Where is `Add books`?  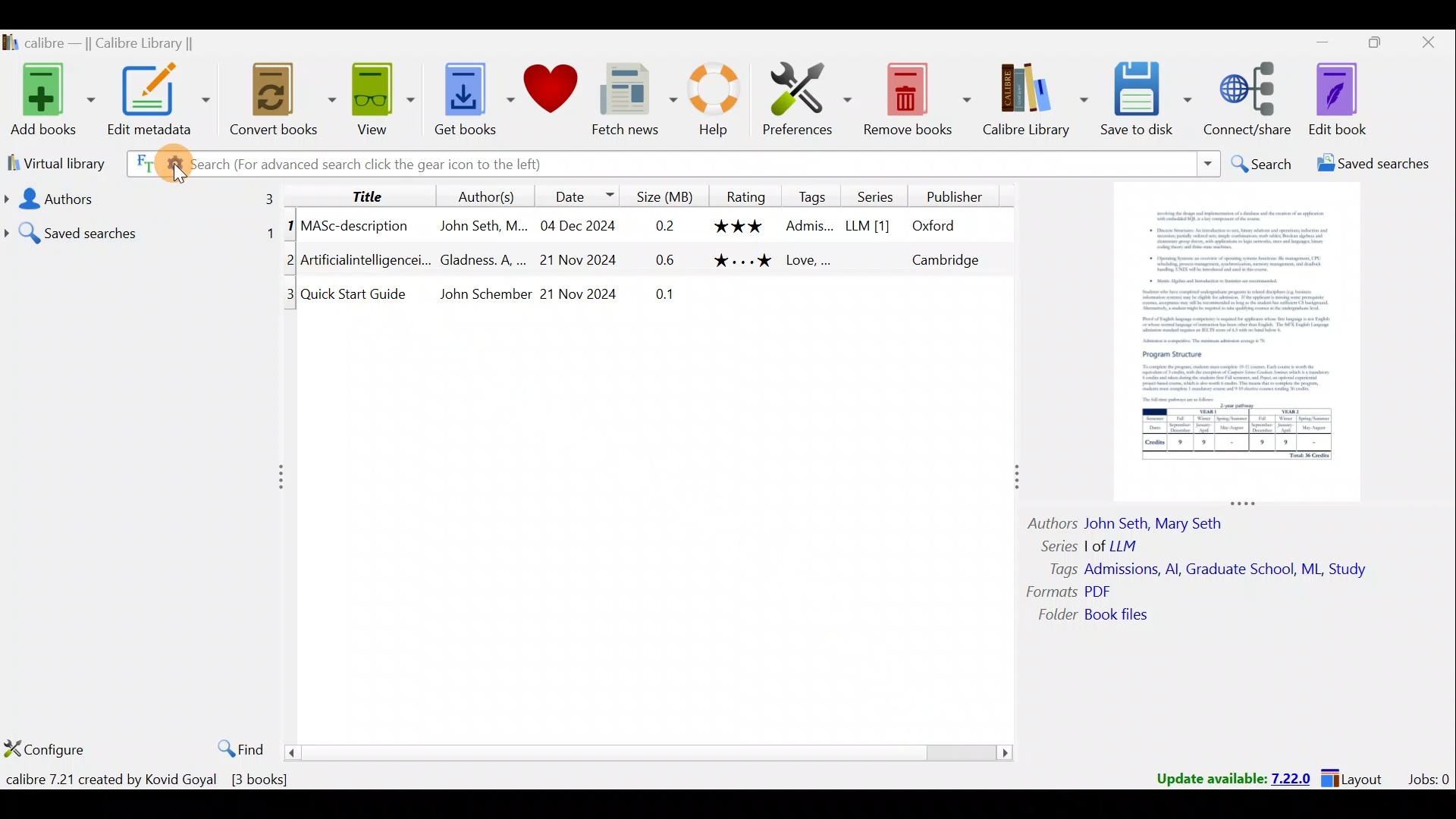 Add books is located at coordinates (49, 97).